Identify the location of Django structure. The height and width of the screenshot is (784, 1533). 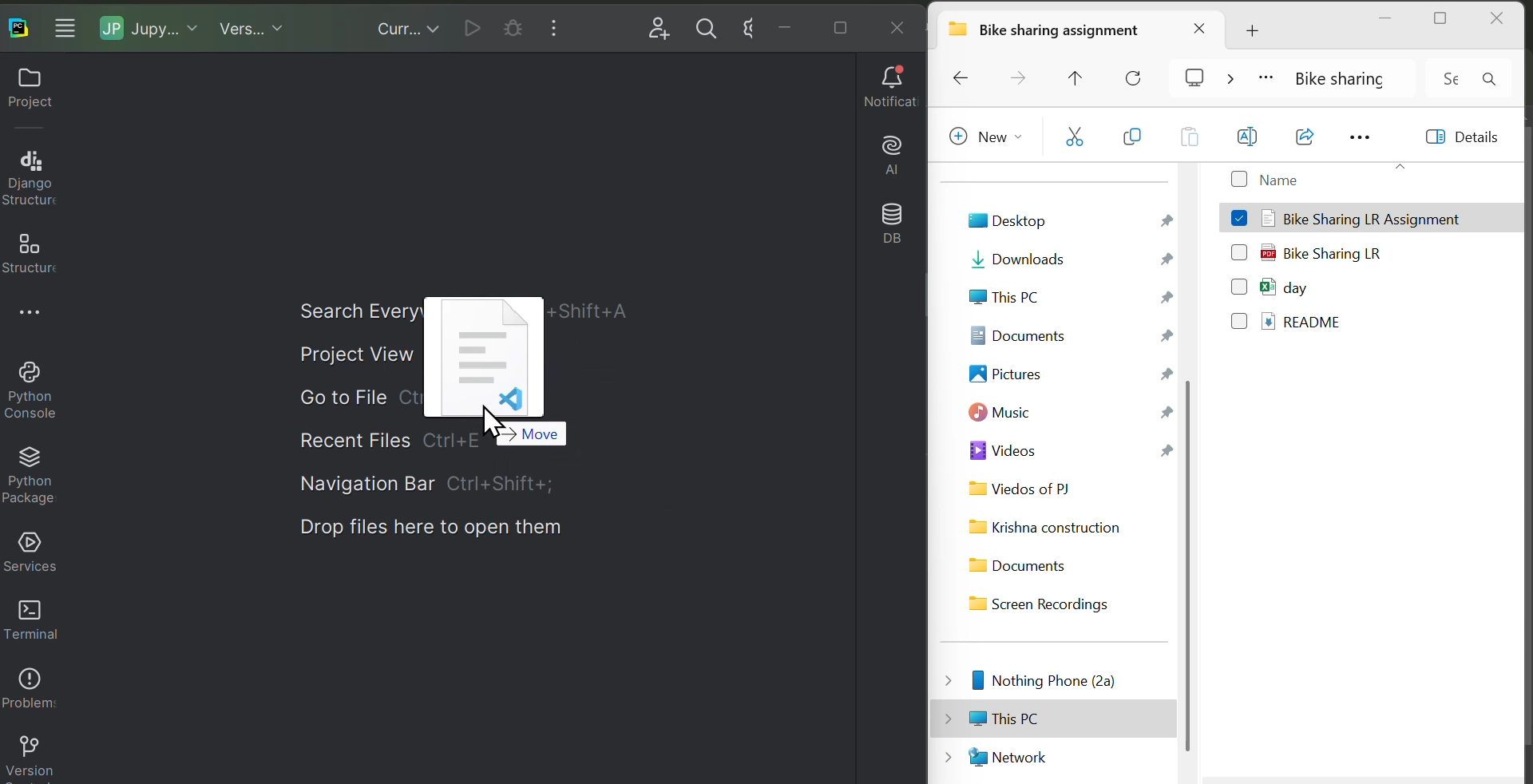
(35, 177).